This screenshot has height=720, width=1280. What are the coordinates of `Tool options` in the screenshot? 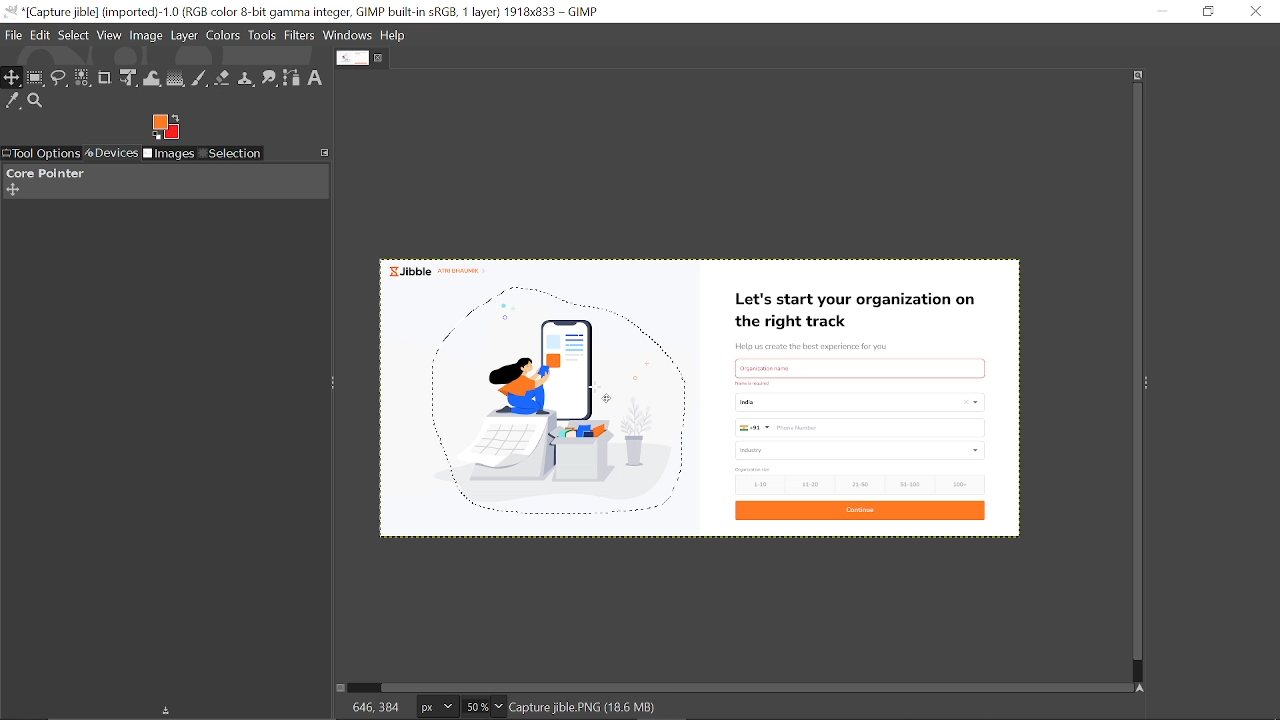 It's located at (40, 154).